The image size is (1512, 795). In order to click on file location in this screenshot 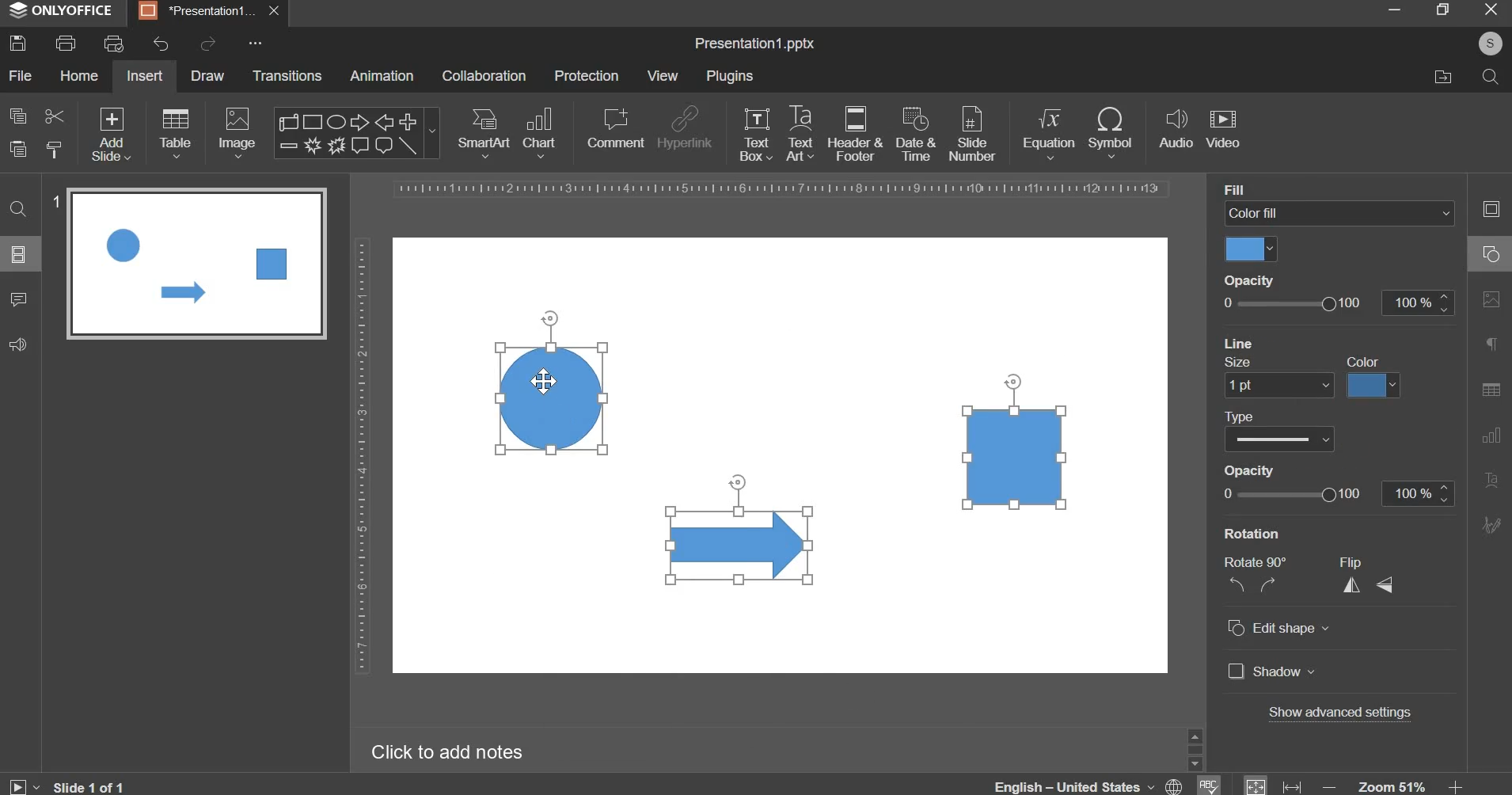, I will do `click(1442, 77)`.